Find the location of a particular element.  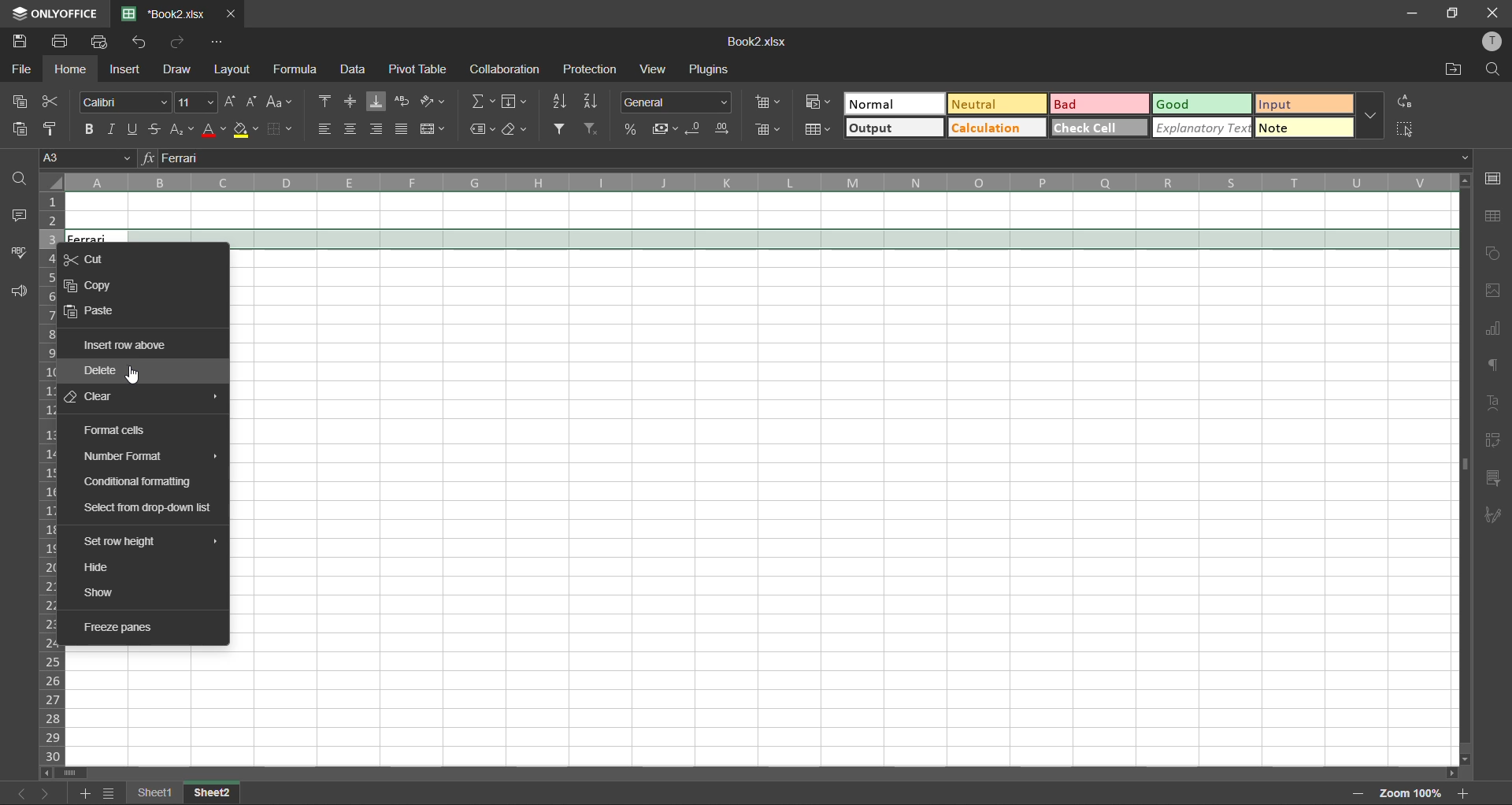

collaboration is located at coordinates (506, 69).